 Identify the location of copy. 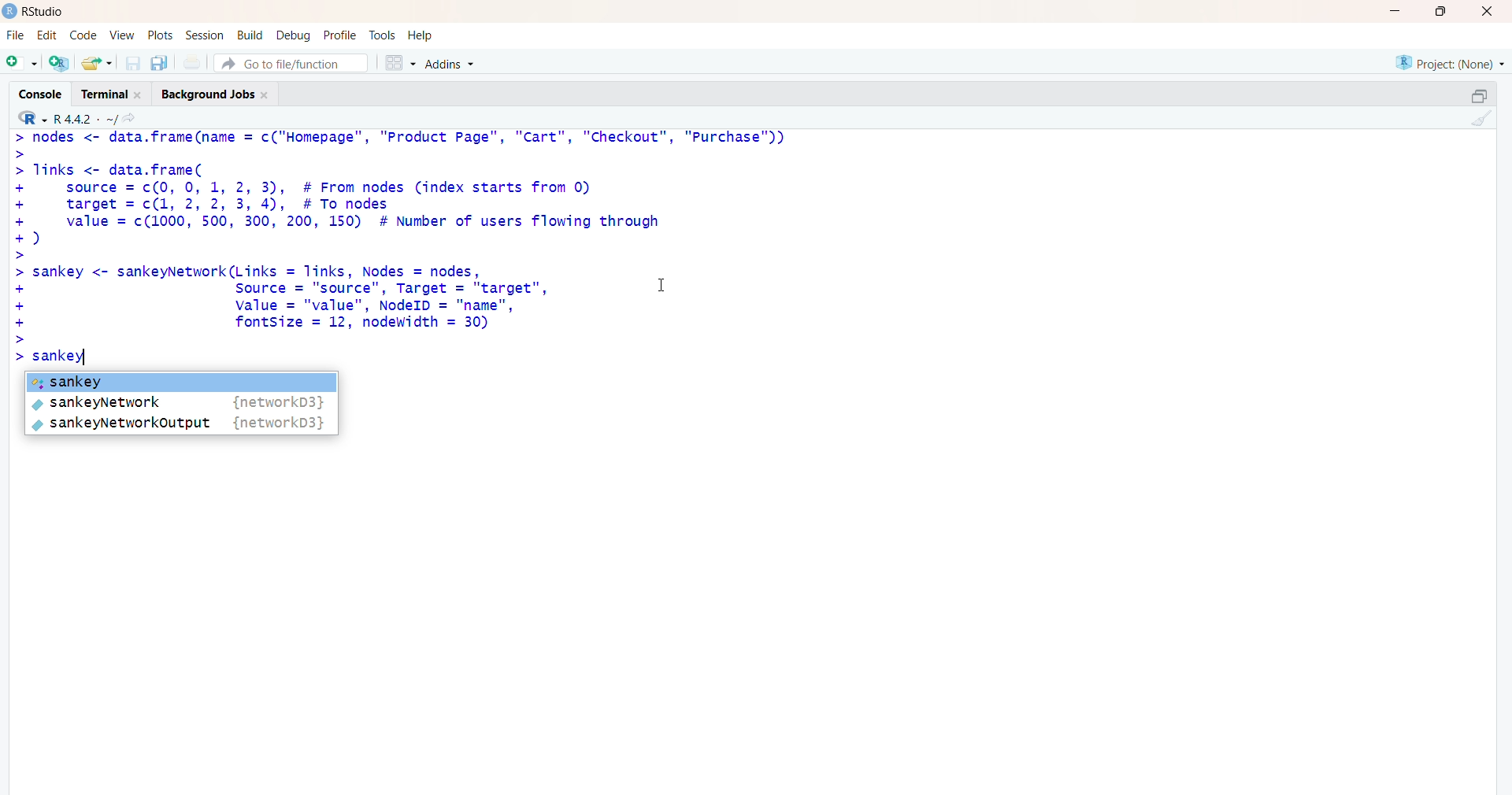
(1468, 93).